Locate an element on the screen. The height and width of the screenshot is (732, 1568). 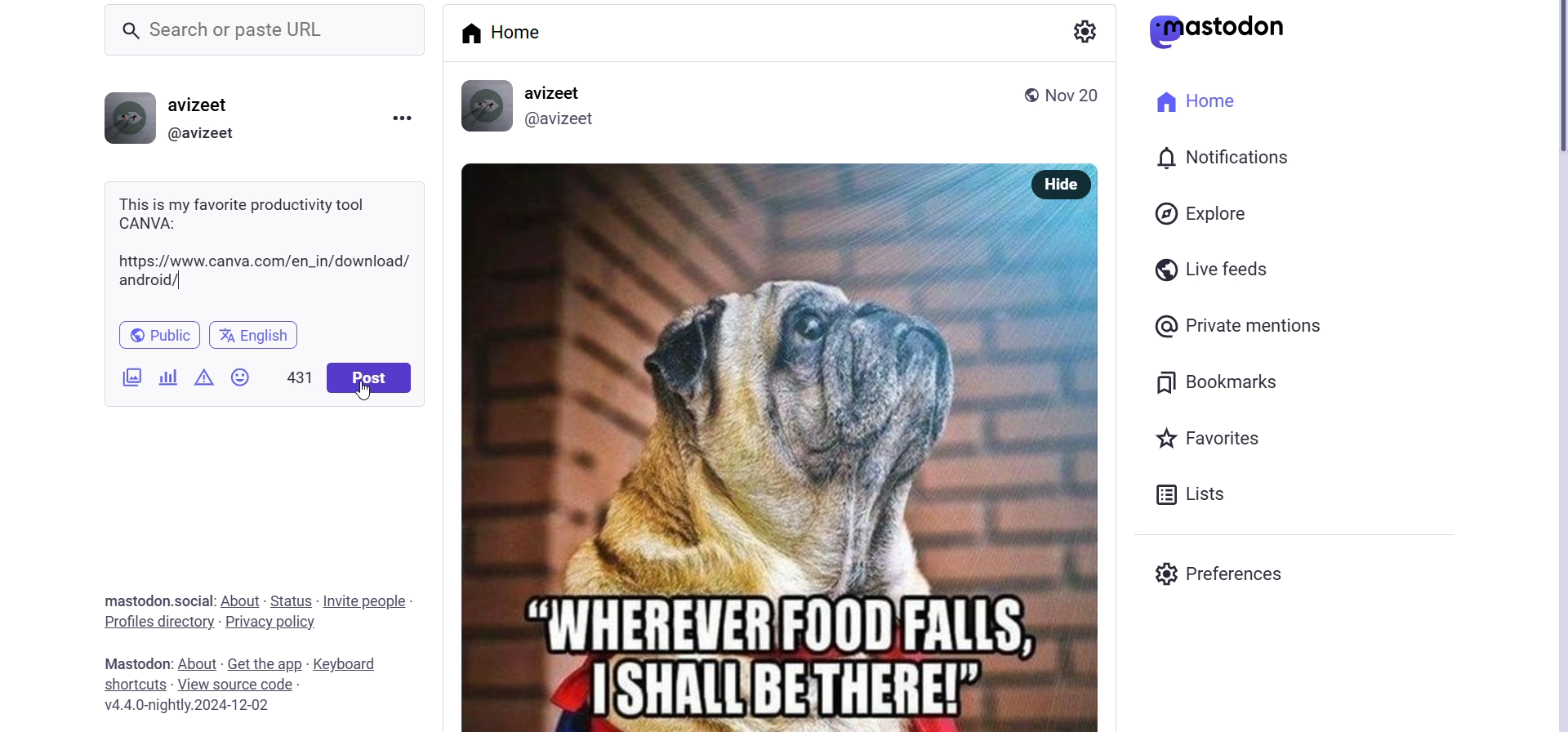
bookmarks is located at coordinates (1214, 382).